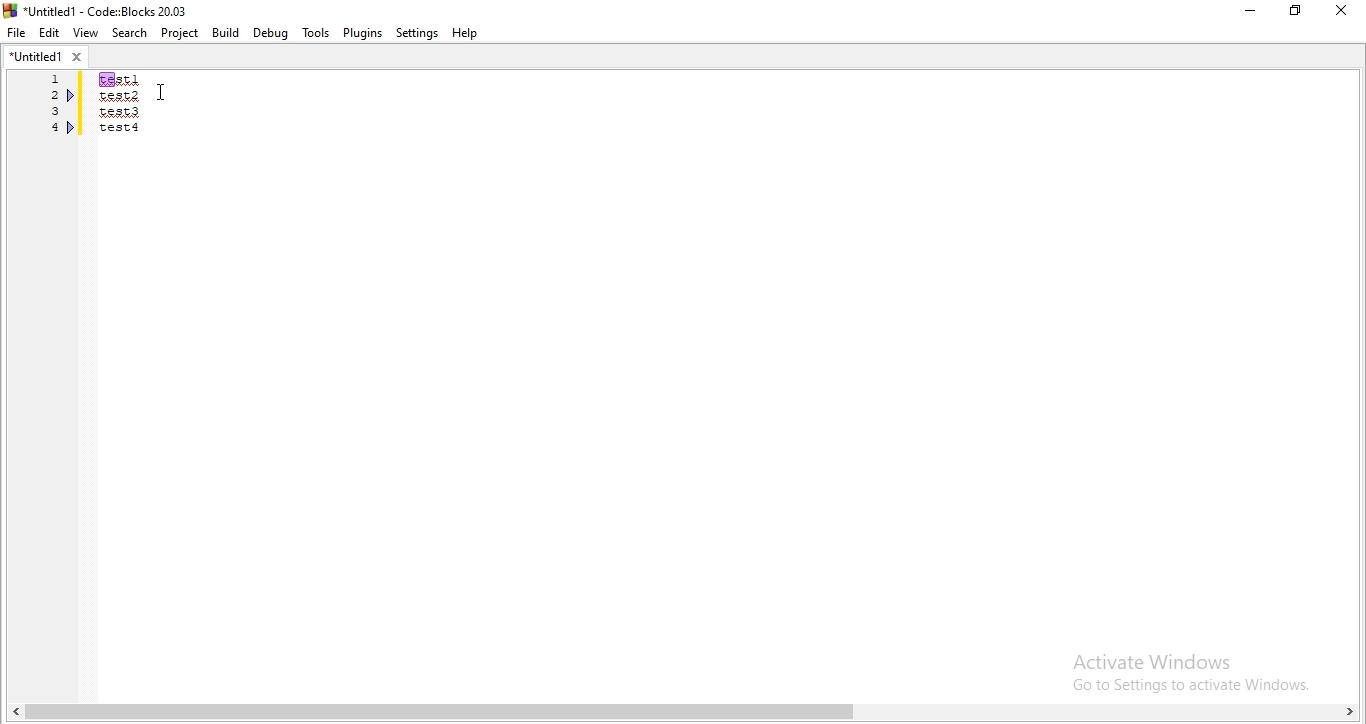 This screenshot has width=1366, height=724. I want to click on Settings , so click(419, 33).